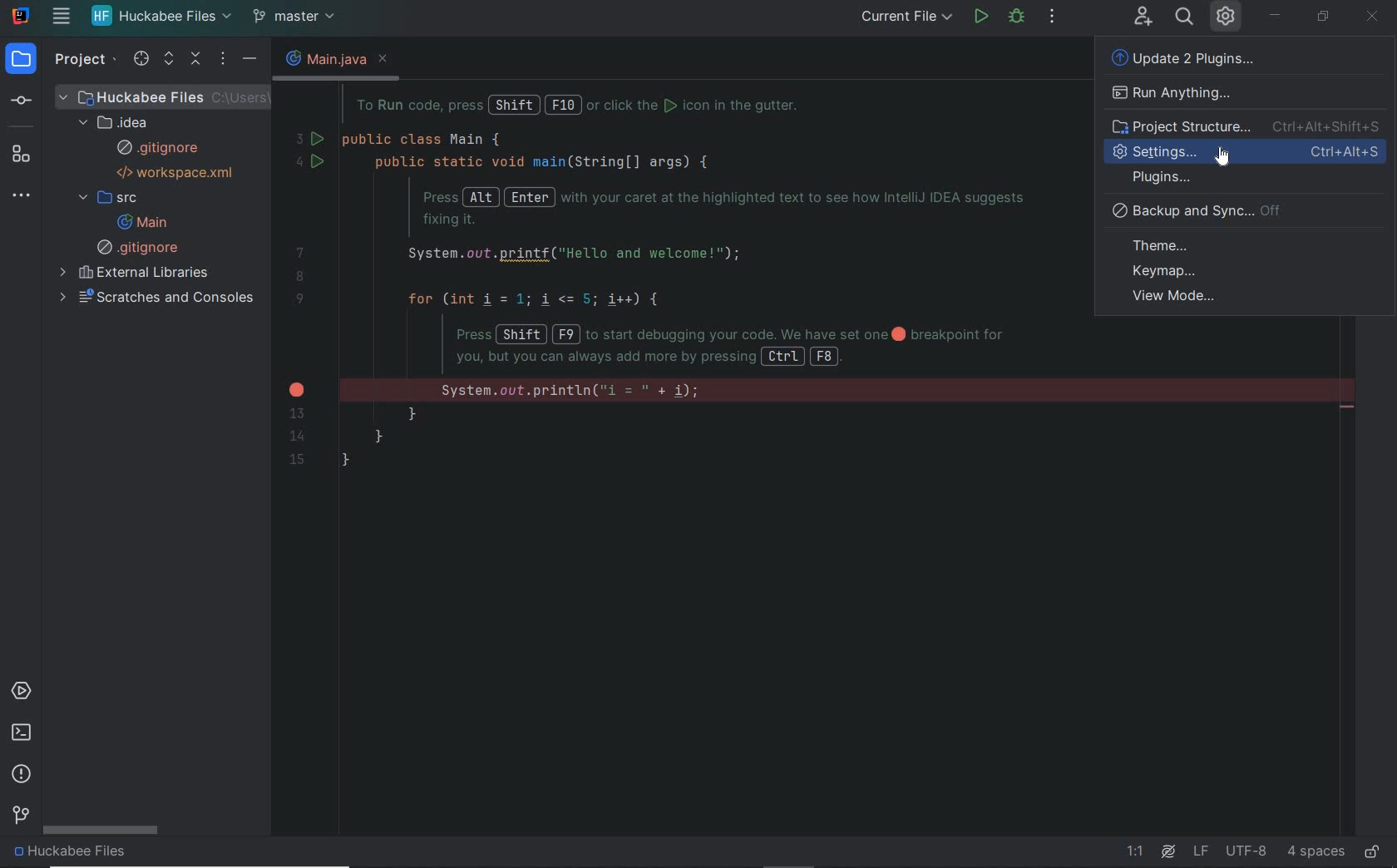 The width and height of the screenshot is (1397, 868). Describe the element at coordinates (158, 149) in the screenshot. I see `.gitignore` at that location.